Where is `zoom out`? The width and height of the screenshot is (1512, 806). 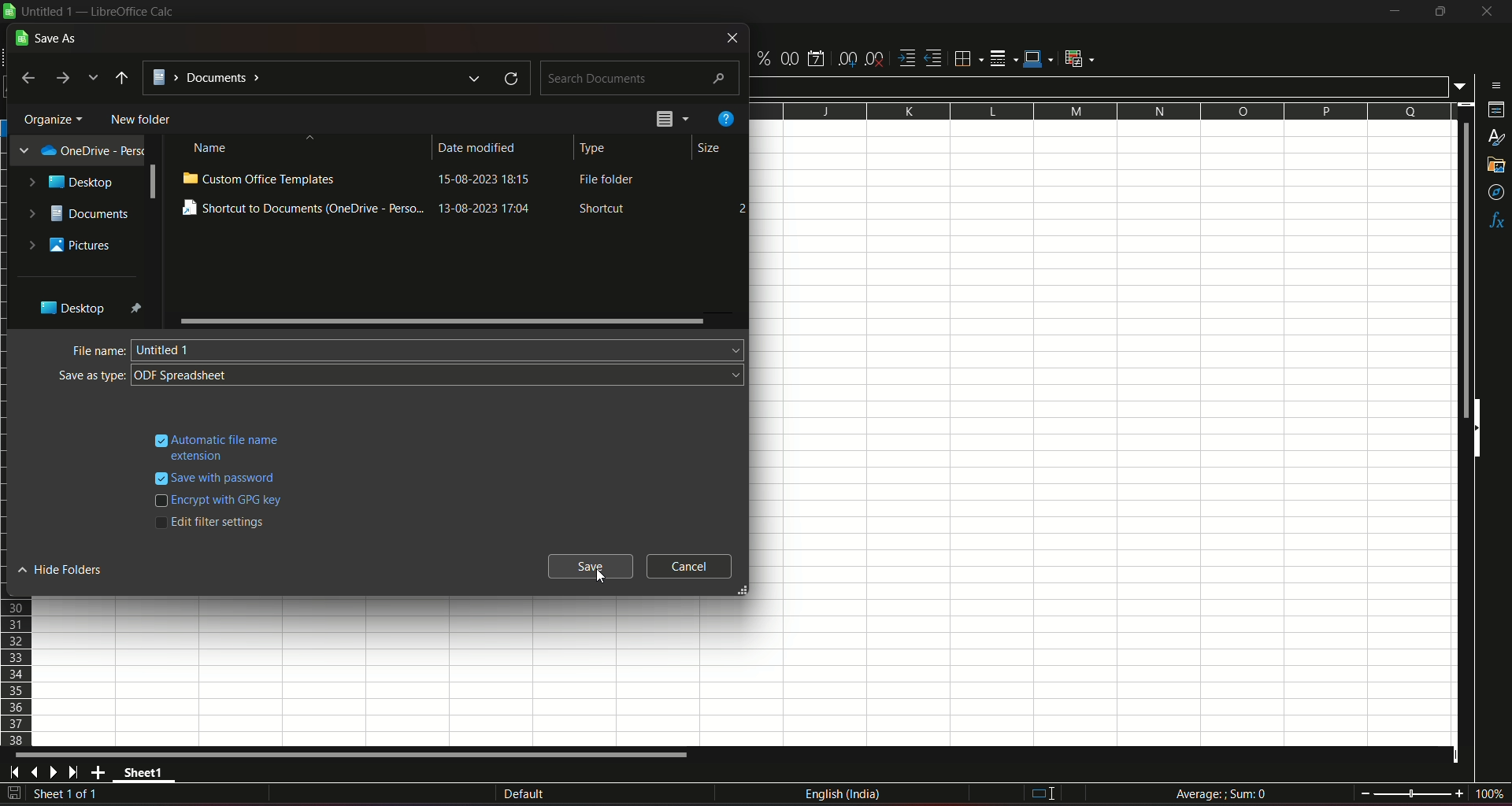
zoom out is located at coordinates (1365, 792).